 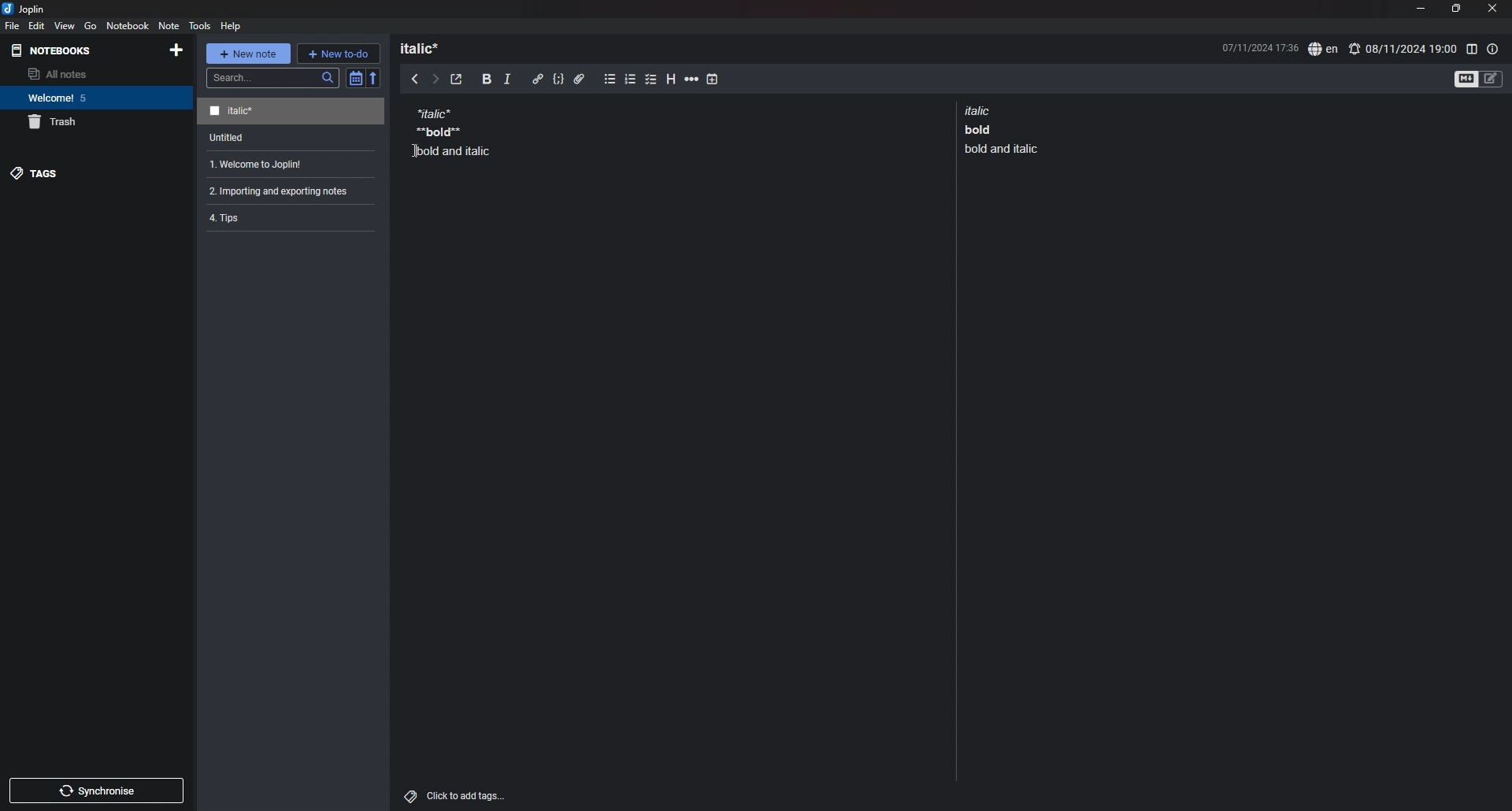 I want to click on trash, so click(x=97, y=122).